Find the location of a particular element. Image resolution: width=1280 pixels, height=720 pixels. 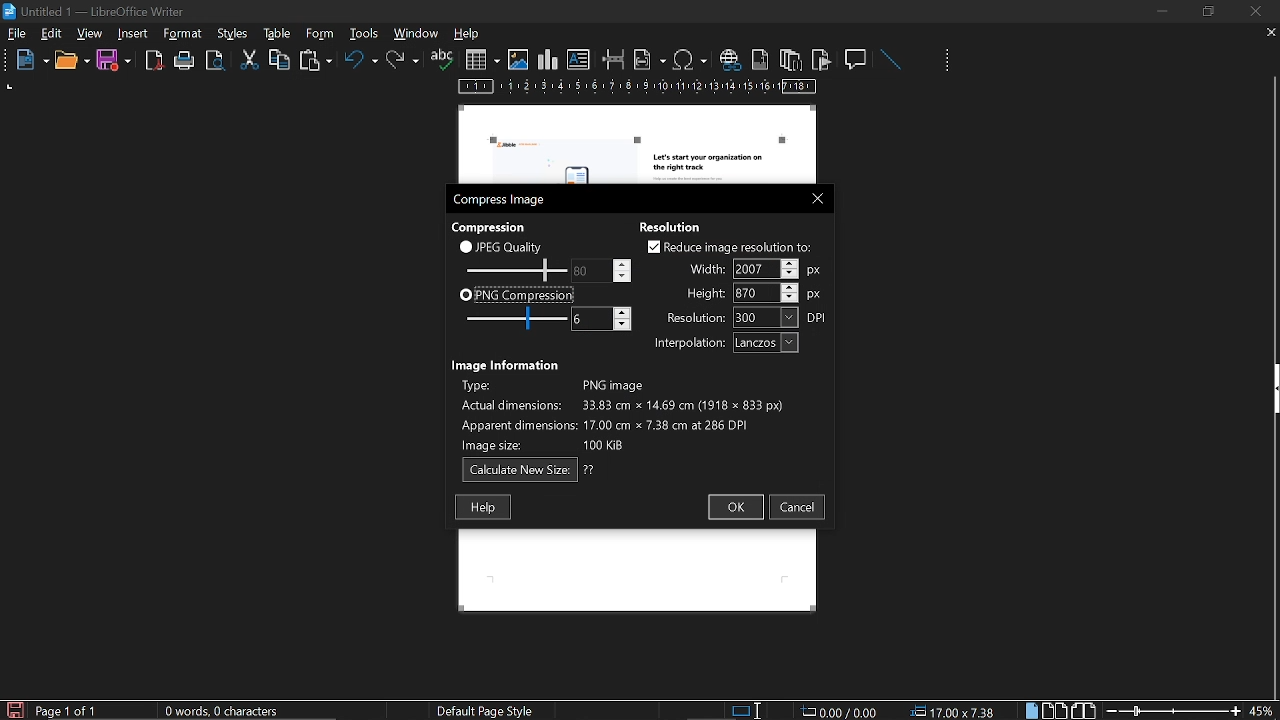

close is located at coordinates (1254, 11).